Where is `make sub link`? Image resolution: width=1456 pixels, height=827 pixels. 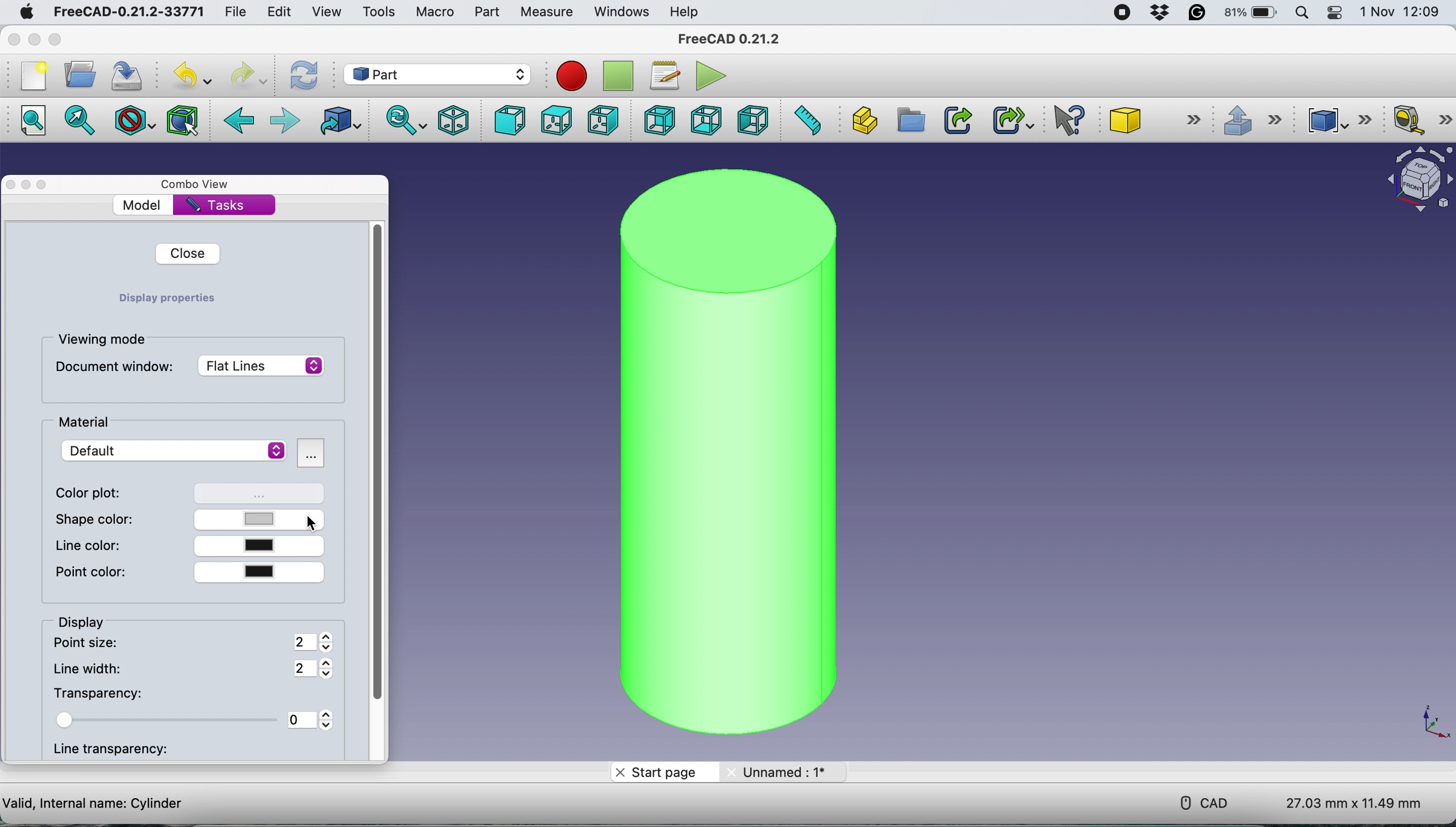
make sub link is located at coordinates (1009, 119).